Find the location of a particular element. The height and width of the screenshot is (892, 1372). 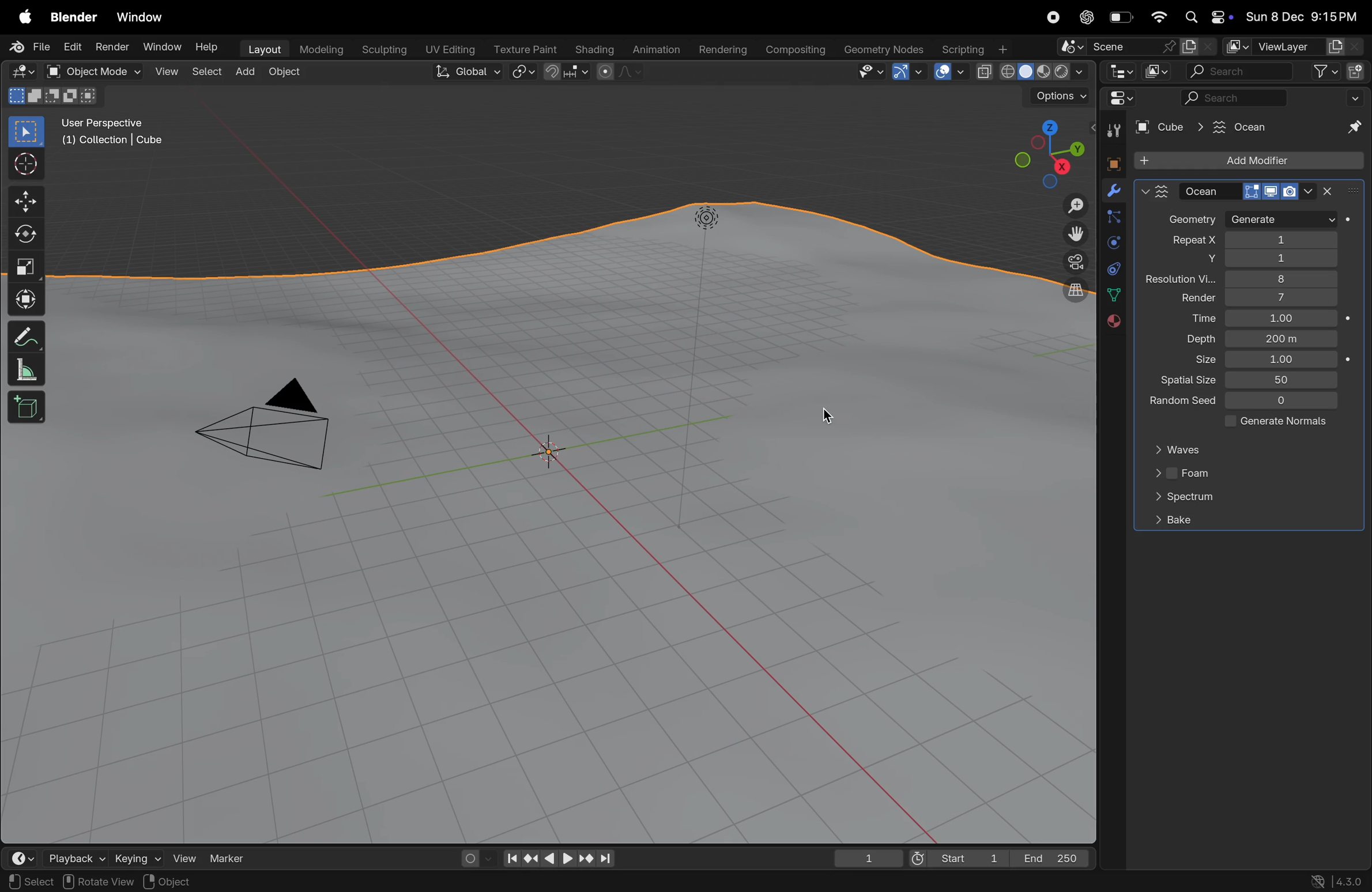

file is located at coordinates (32, 47).